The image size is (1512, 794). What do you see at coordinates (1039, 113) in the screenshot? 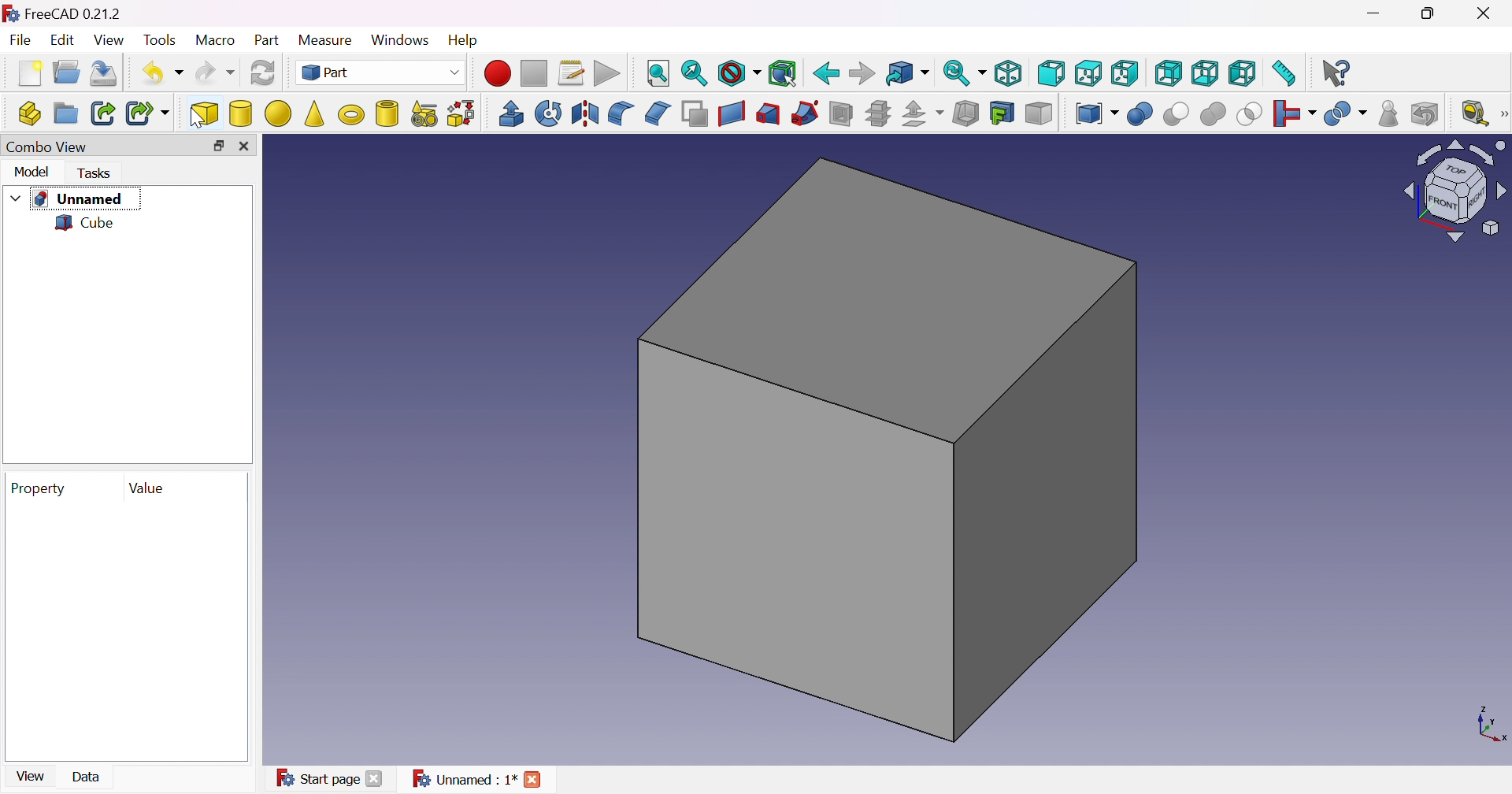
I see `Color per face` at bounding box center [1039, 113].